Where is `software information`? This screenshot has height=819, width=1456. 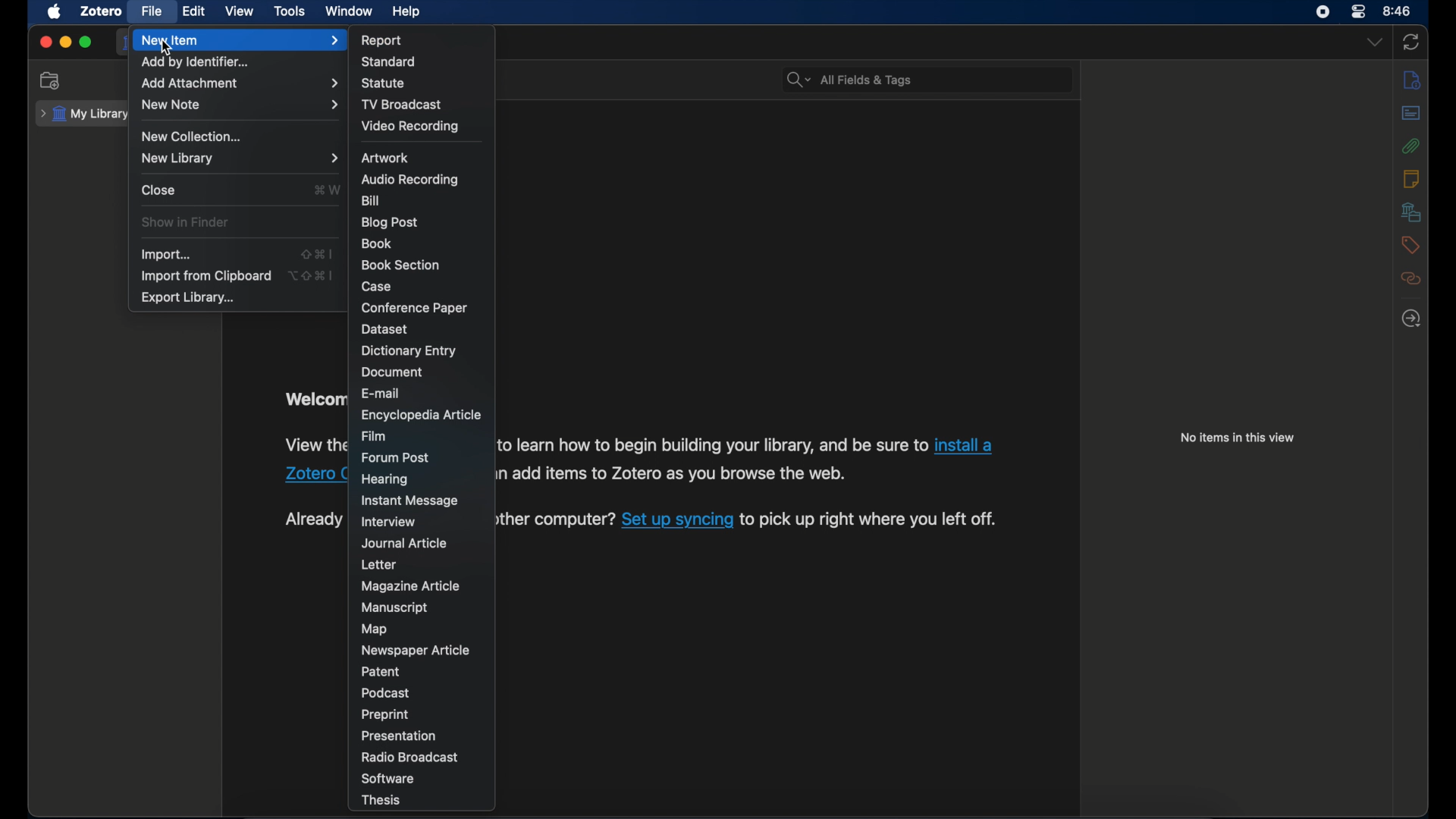 software information is located at coordinates (714, 446).